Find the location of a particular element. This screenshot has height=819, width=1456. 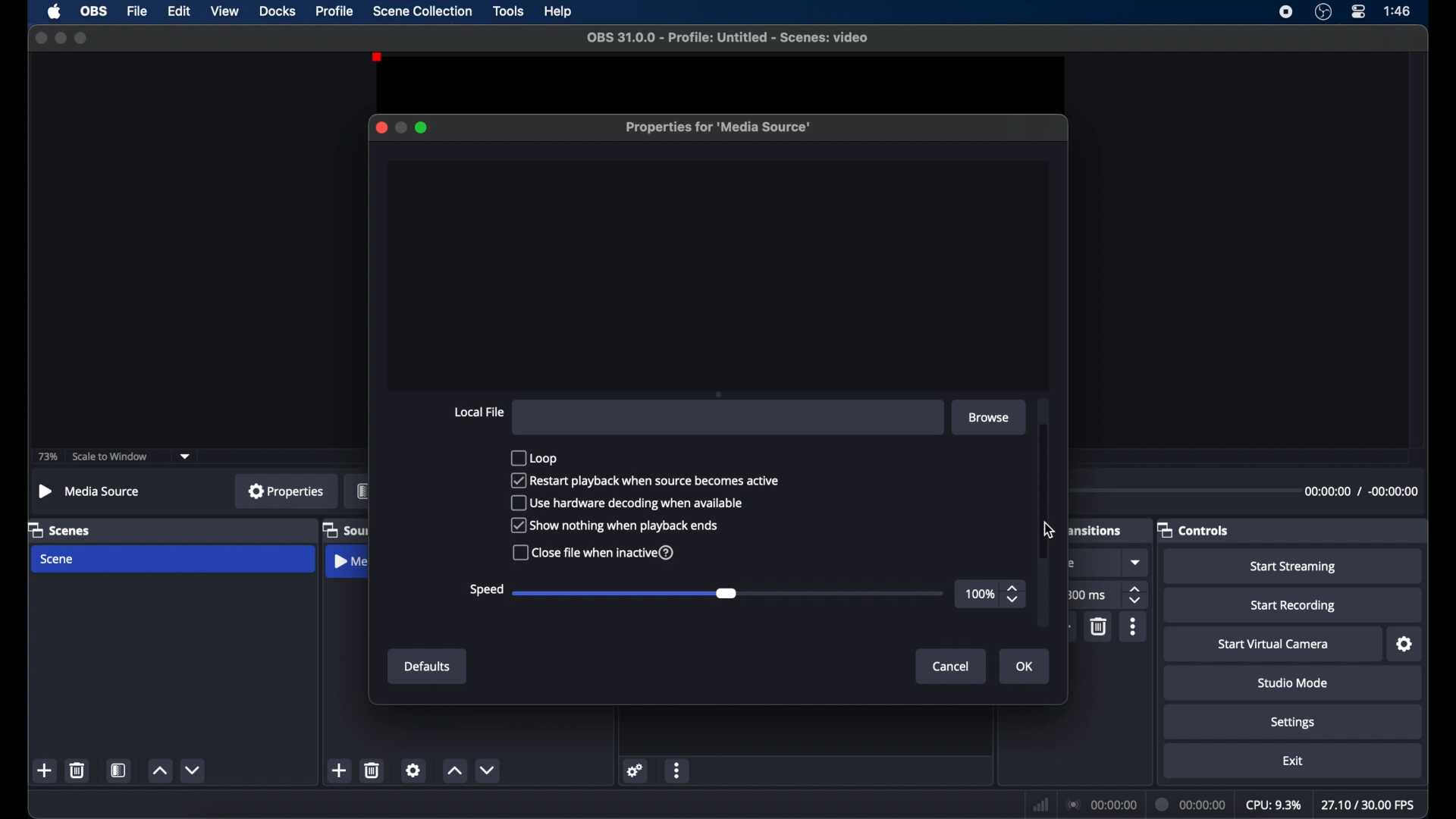

view is located at coordinates (224, 10).